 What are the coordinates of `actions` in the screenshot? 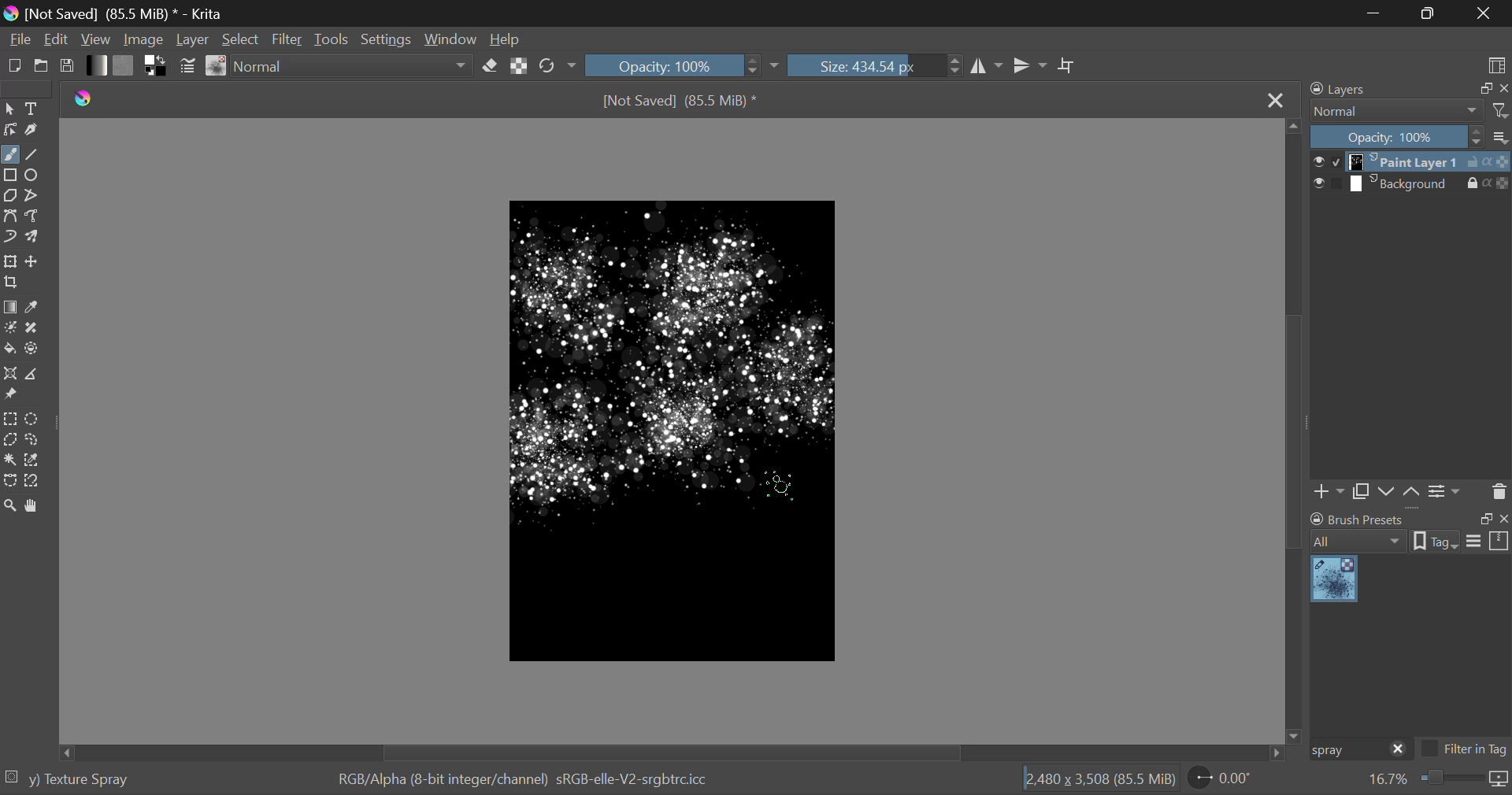 It's located at (1488, 183).